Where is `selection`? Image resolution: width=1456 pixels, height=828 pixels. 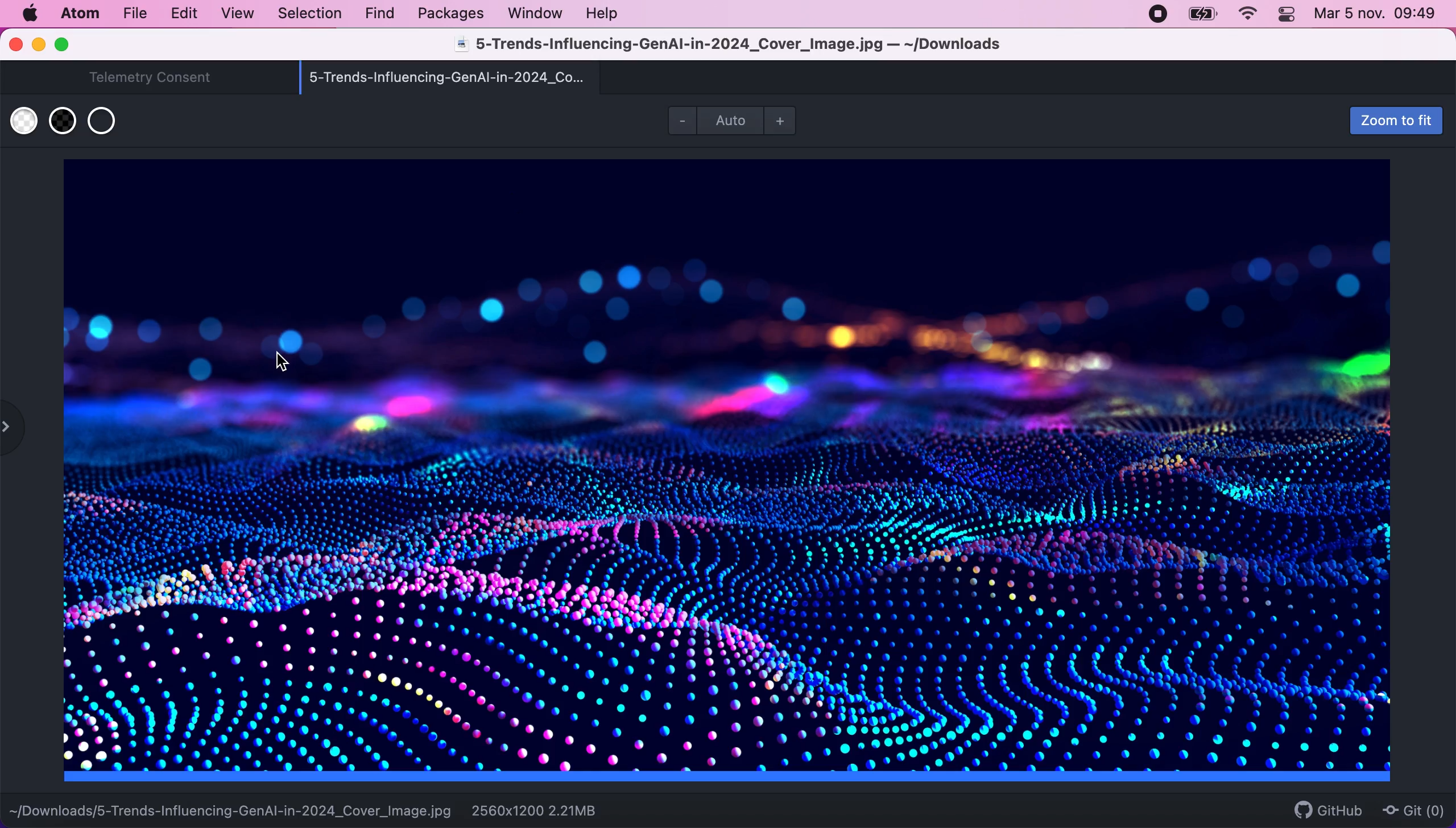
selection is located at coordinates (311, 14).